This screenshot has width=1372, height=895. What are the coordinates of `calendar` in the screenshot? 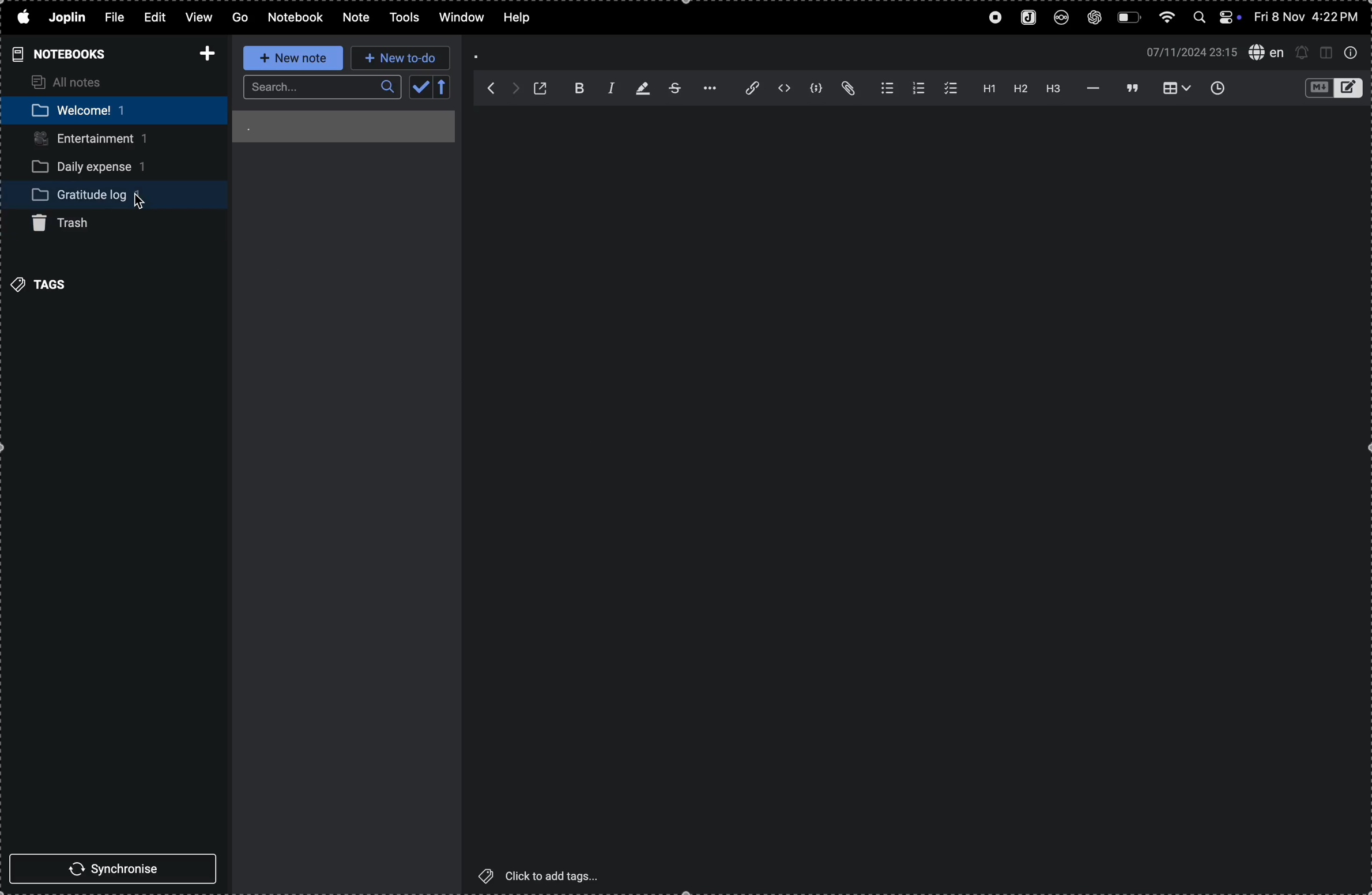 It's located at (432, 87).